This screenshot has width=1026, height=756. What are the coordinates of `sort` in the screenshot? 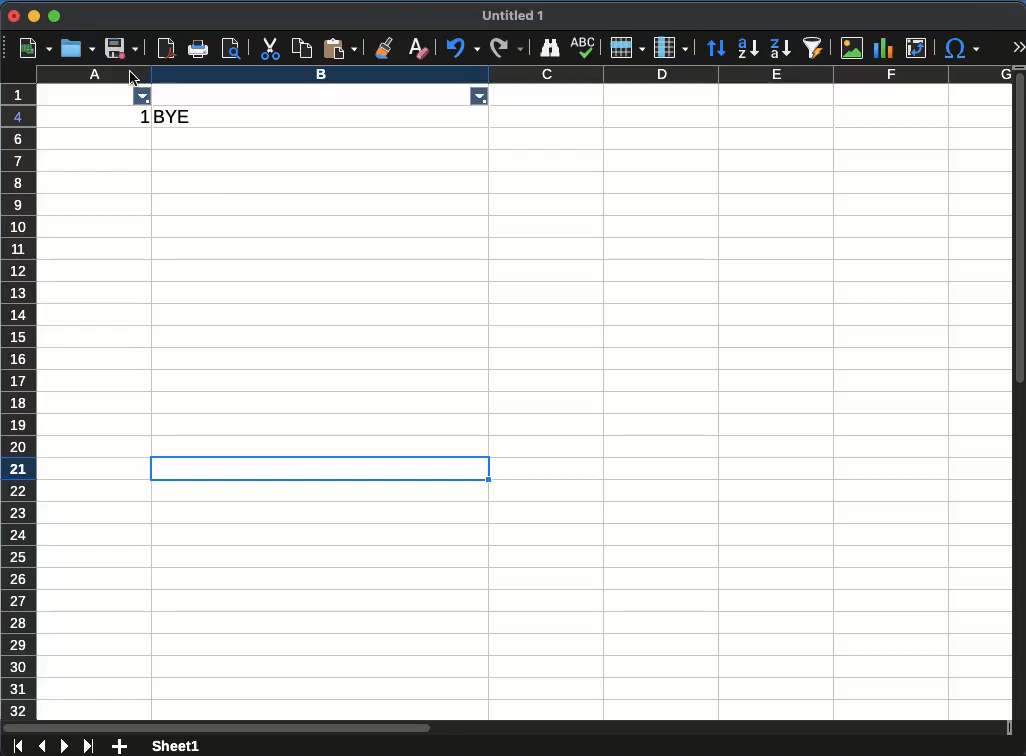 It's located at (717, 50).